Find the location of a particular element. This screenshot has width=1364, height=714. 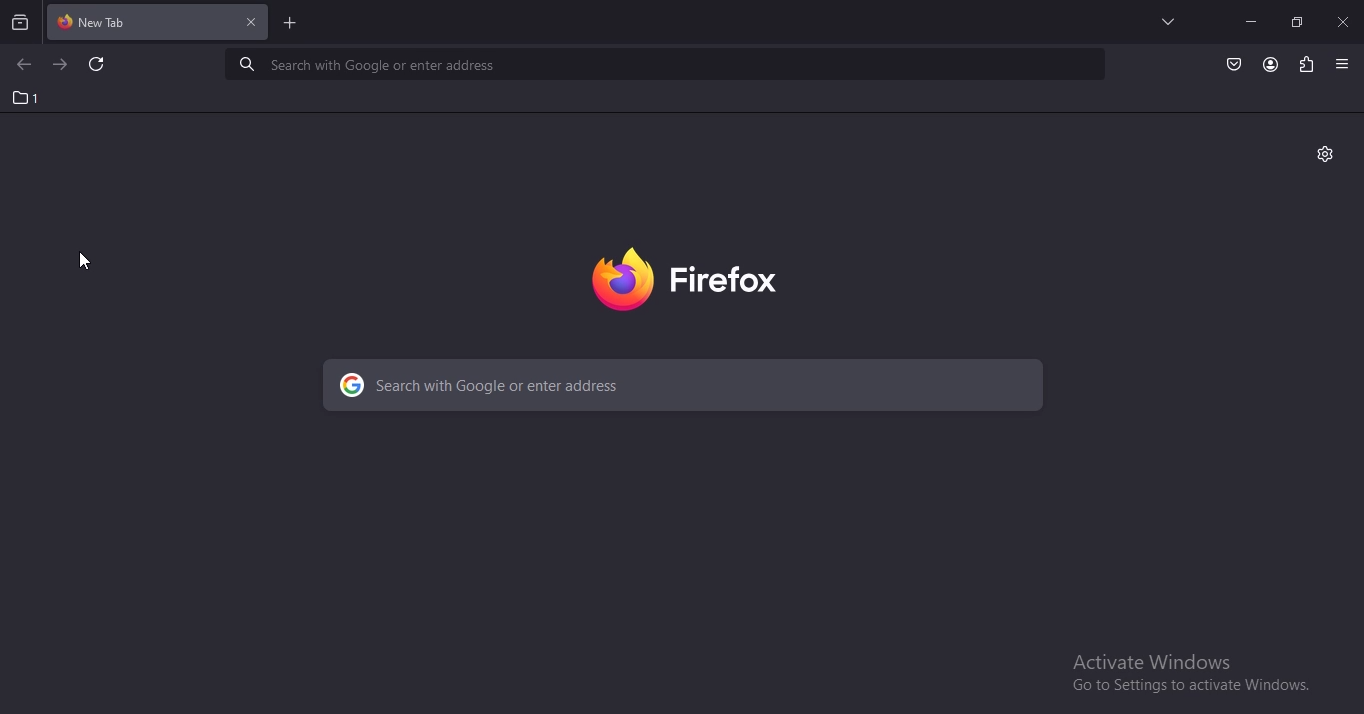

close is located at coordinates (1344, 21).